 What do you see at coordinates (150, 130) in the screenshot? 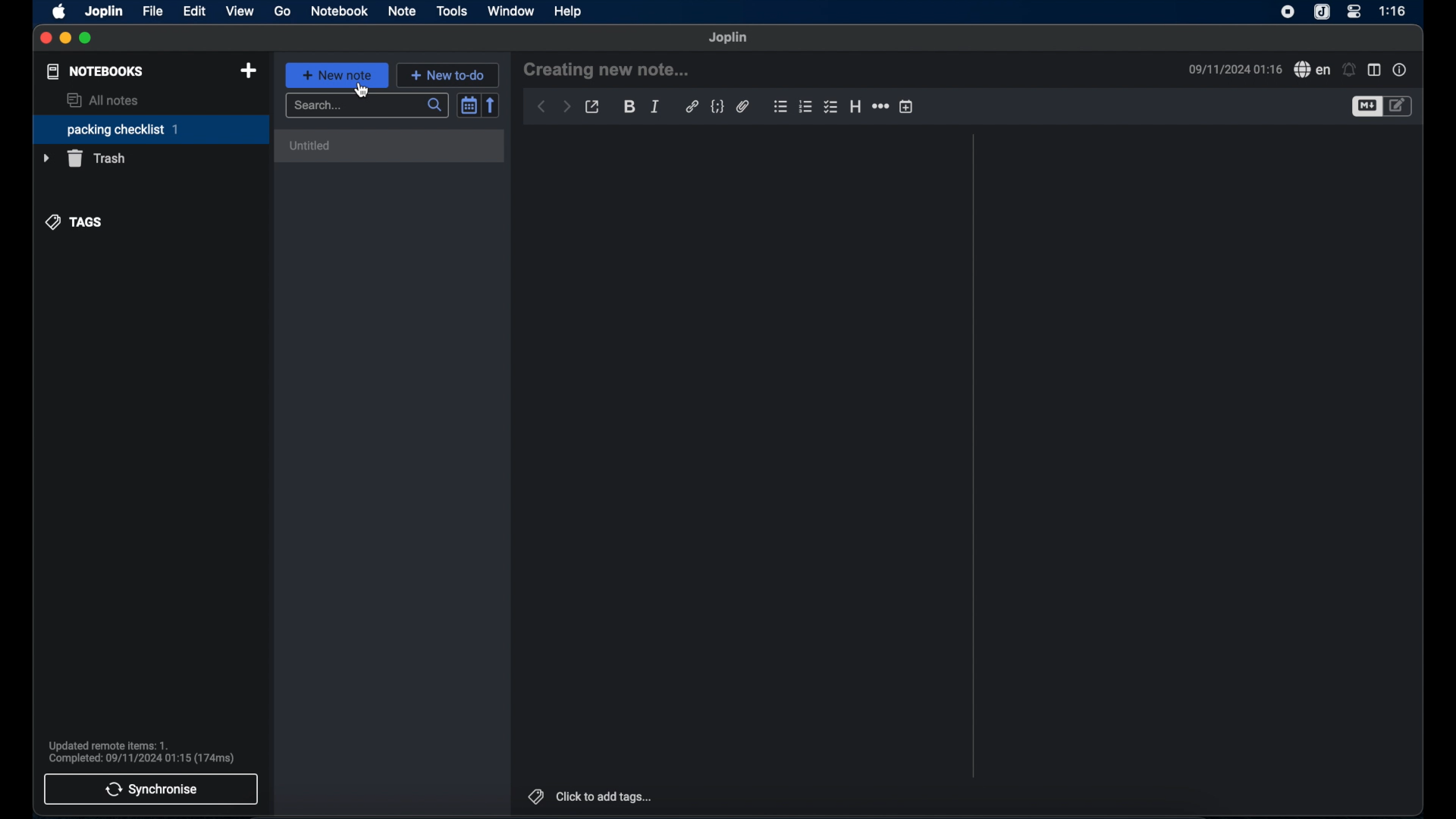
I see `packing checklist` at bounding box center [150, 130].